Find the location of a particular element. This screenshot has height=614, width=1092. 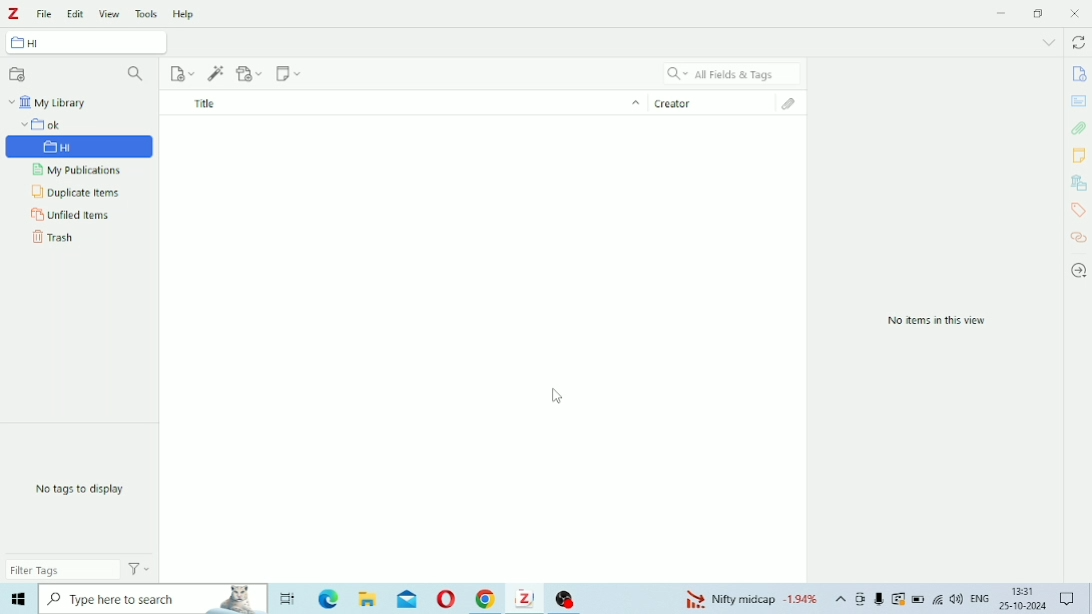

New Note is located at coordinates (289, 73).